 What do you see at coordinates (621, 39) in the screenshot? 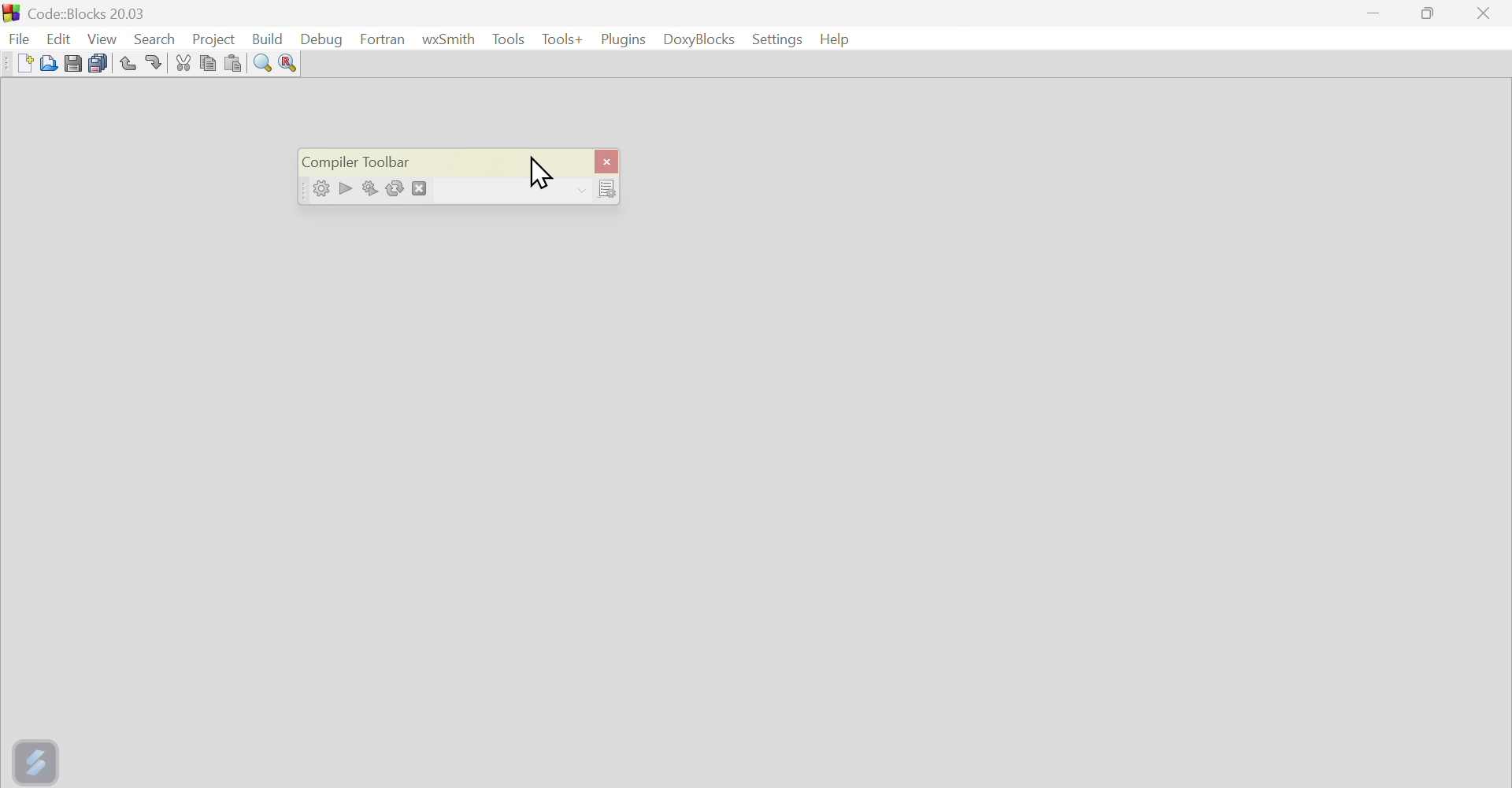
I see `Plugins` at bounding box center [621, 39].